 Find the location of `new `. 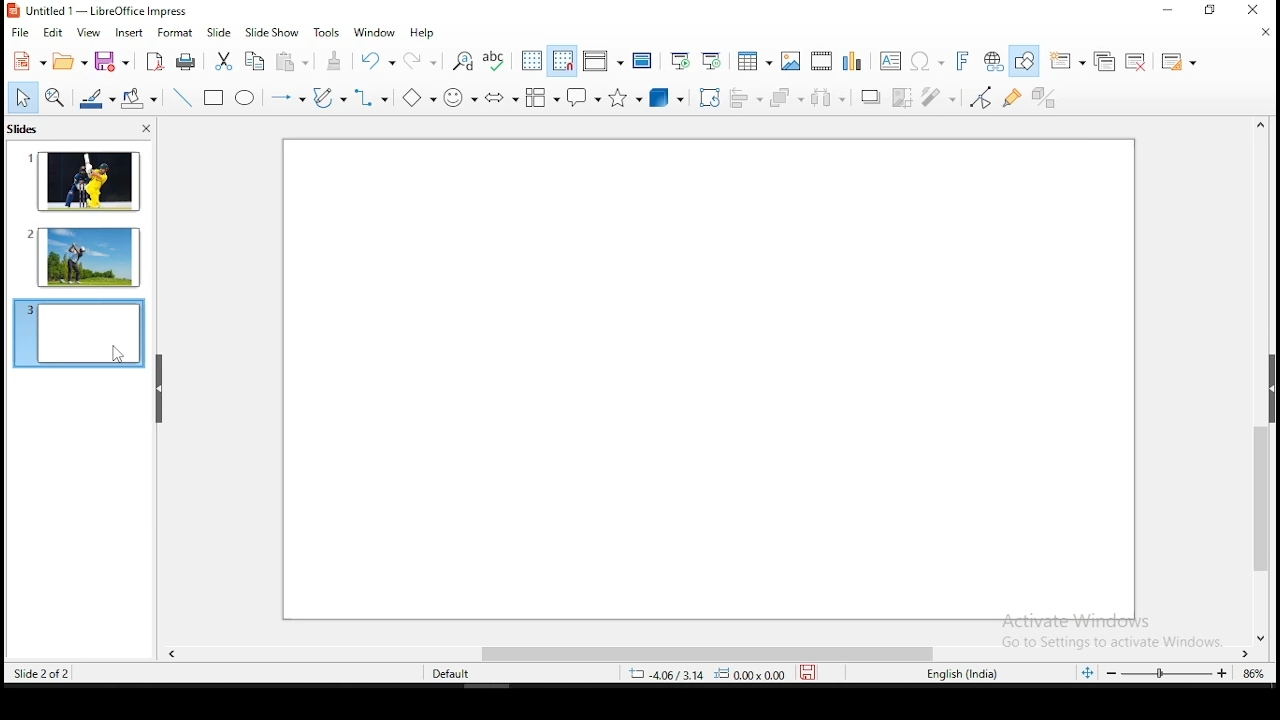

new  is located at coordinates (30, 60).